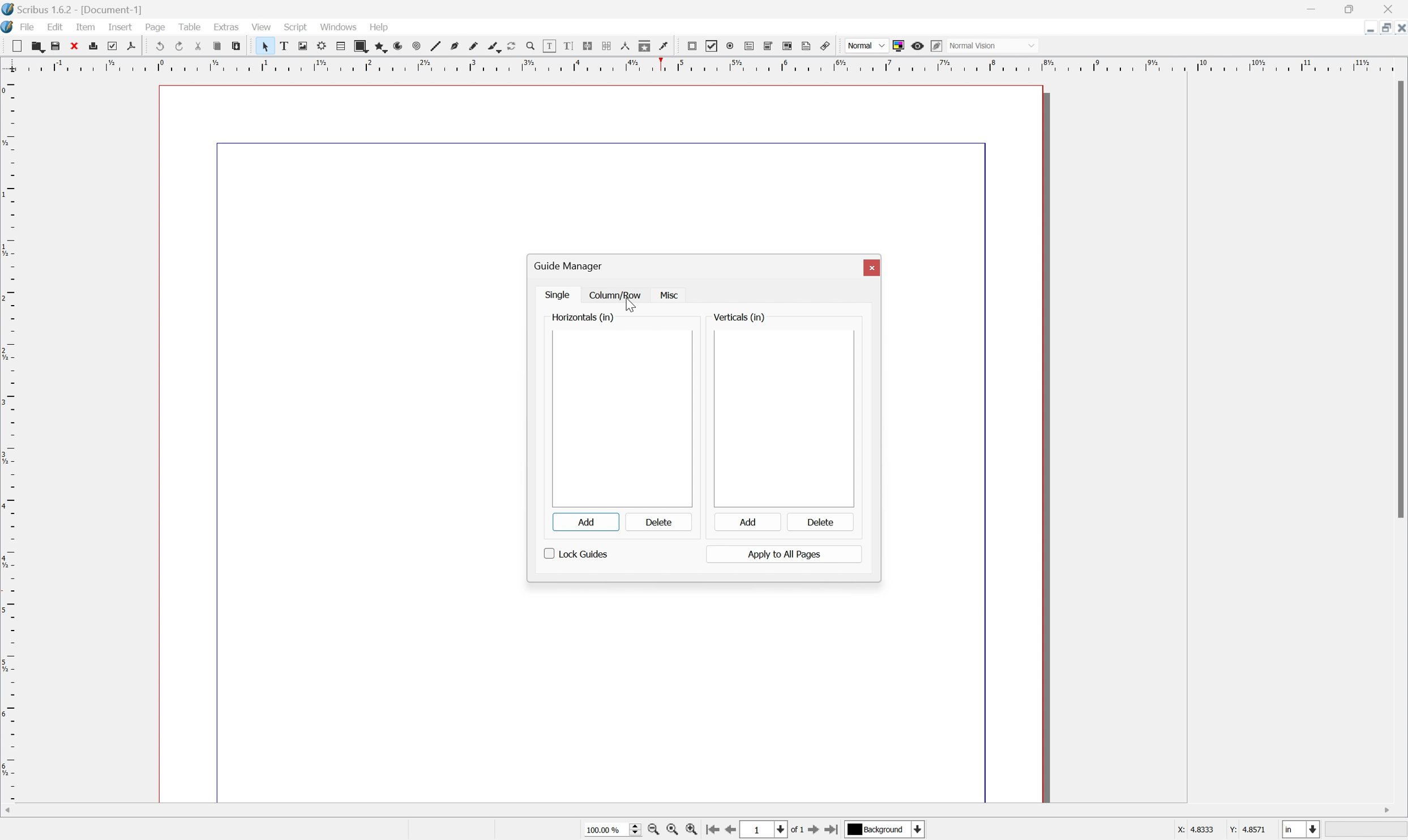 This screenshot has height=840, width=1408. Describe the element at coordinates (713, 46) in the screenshot. I see `pdf checkbox` at that location.